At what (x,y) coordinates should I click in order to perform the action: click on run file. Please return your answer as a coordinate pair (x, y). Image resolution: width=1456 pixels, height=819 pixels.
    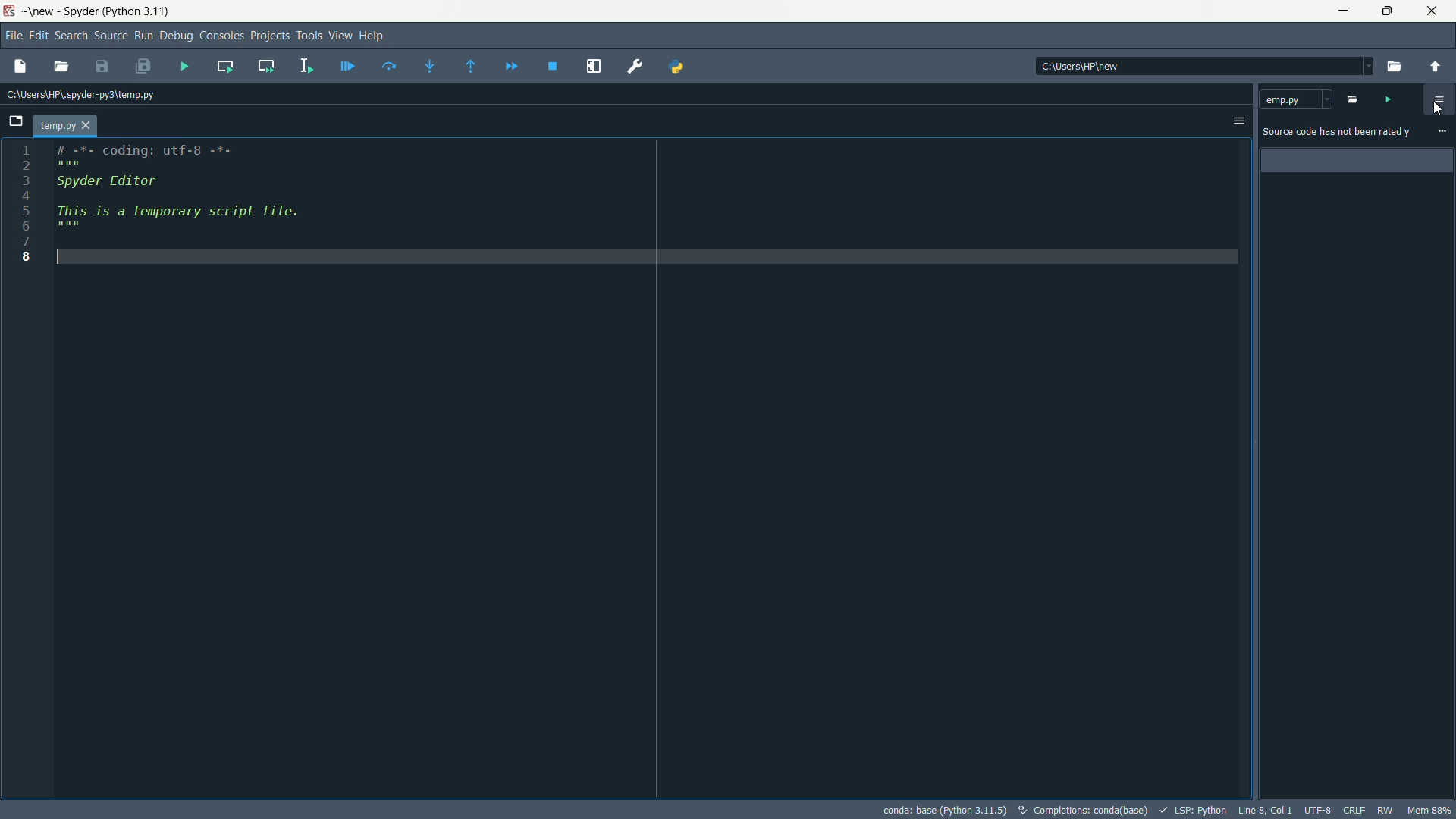
    Looking at the image, I should click on (1392, 99).